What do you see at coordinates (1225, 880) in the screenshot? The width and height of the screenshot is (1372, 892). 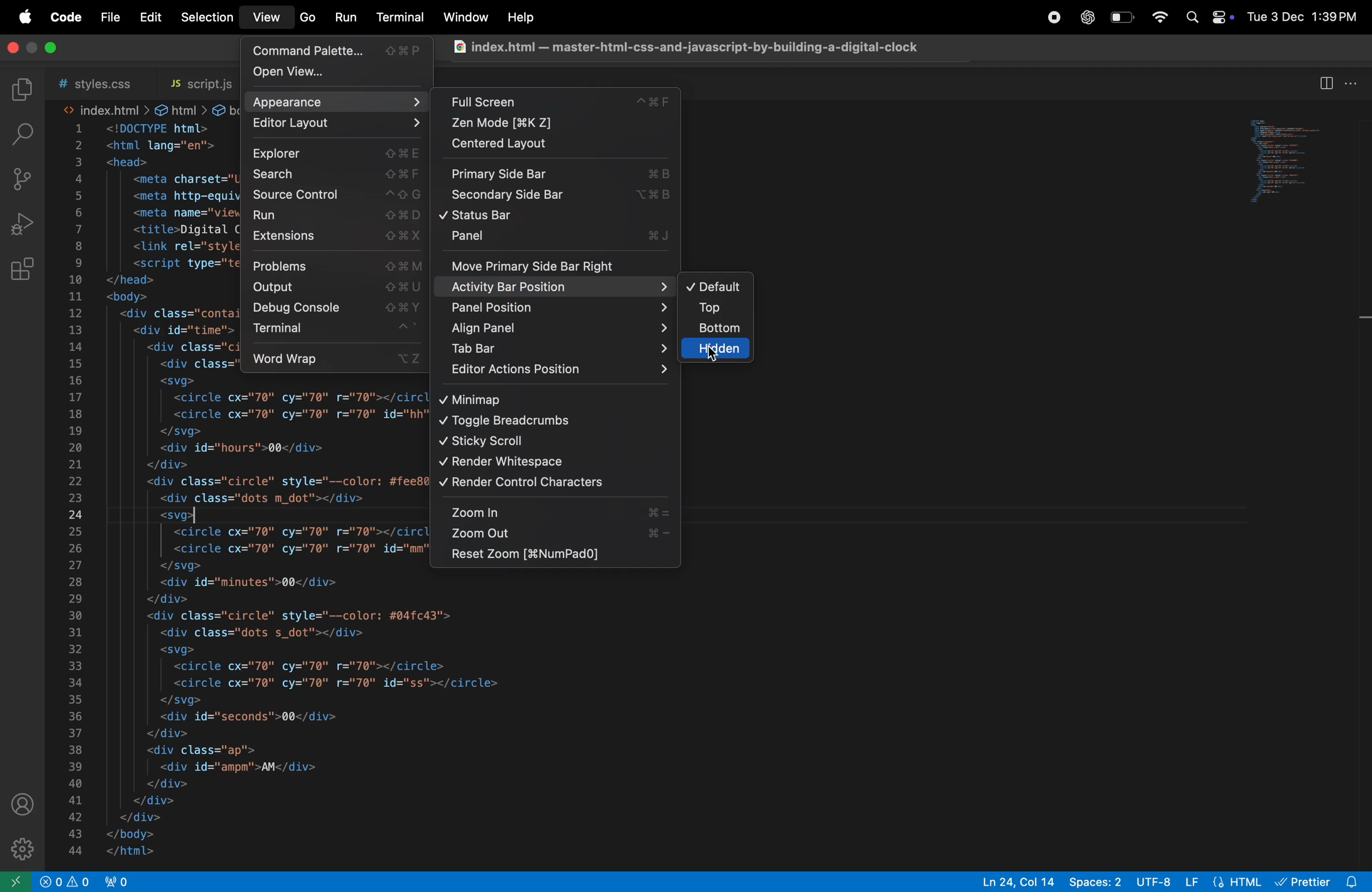 I see `html` at bounding box center [1225, 880].